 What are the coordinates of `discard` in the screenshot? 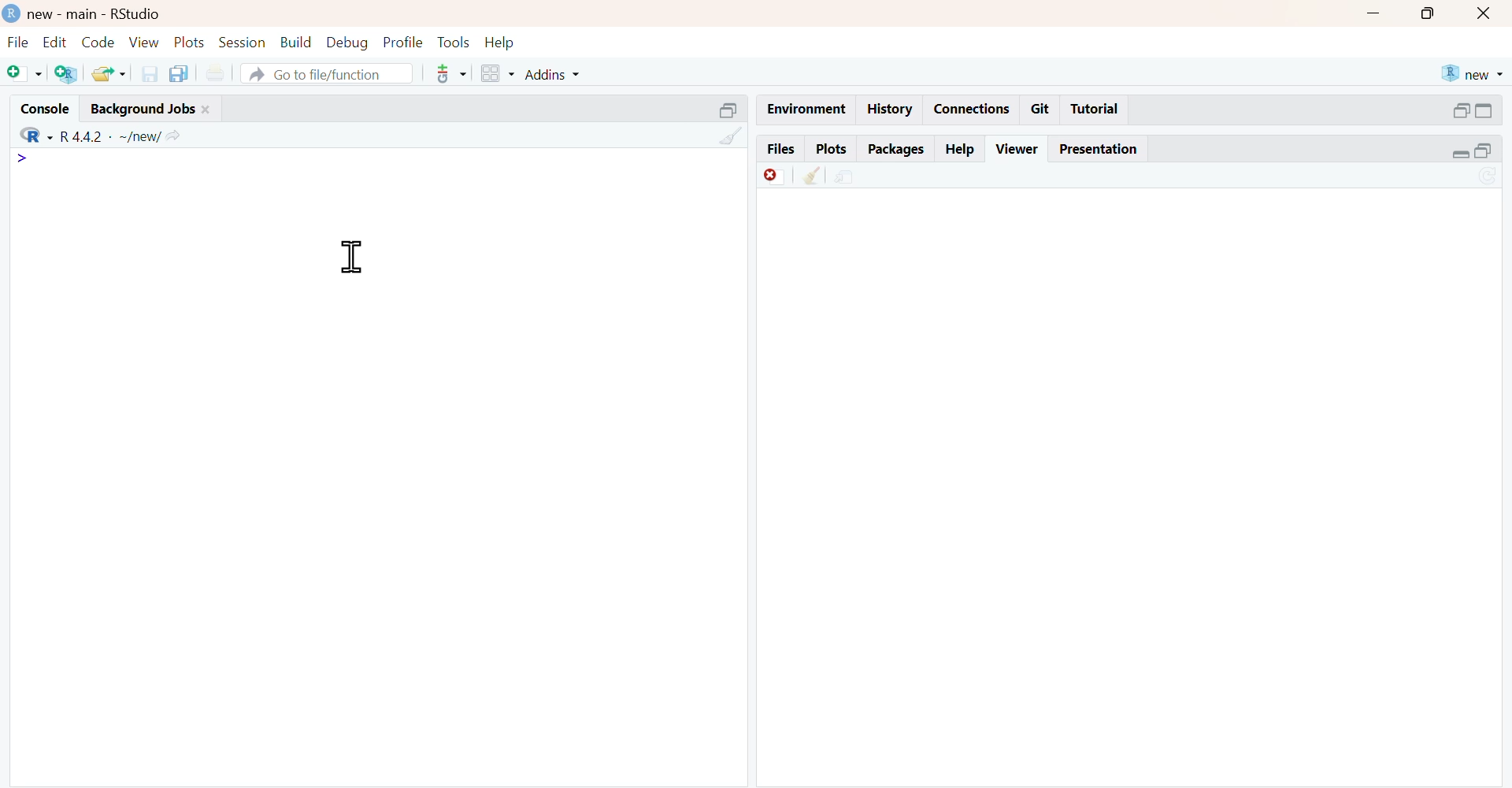 It's located at (775, 177).